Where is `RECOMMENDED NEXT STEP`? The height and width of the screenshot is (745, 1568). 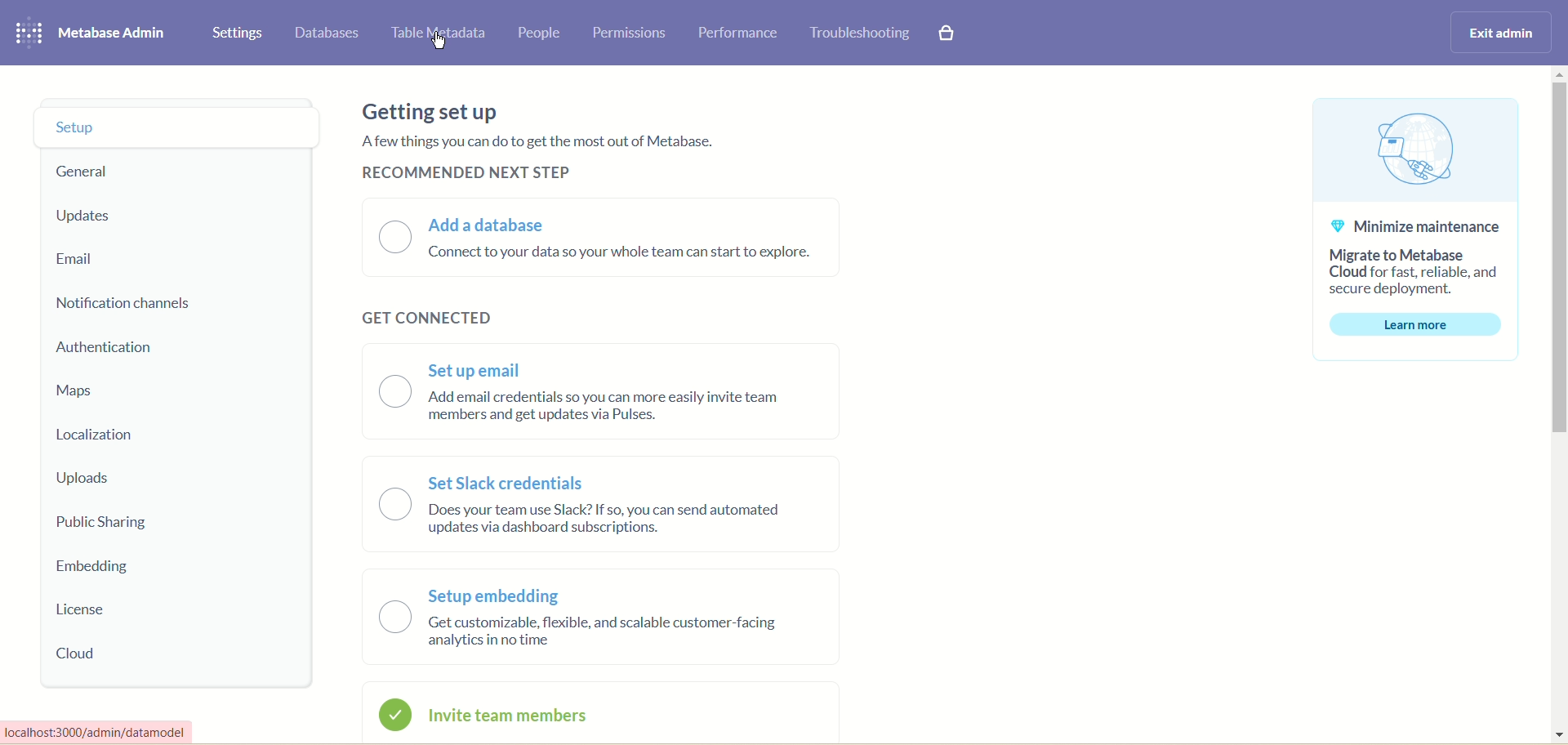 RECOMMENDED NEXT STEP is located at coordinates (467, 173).